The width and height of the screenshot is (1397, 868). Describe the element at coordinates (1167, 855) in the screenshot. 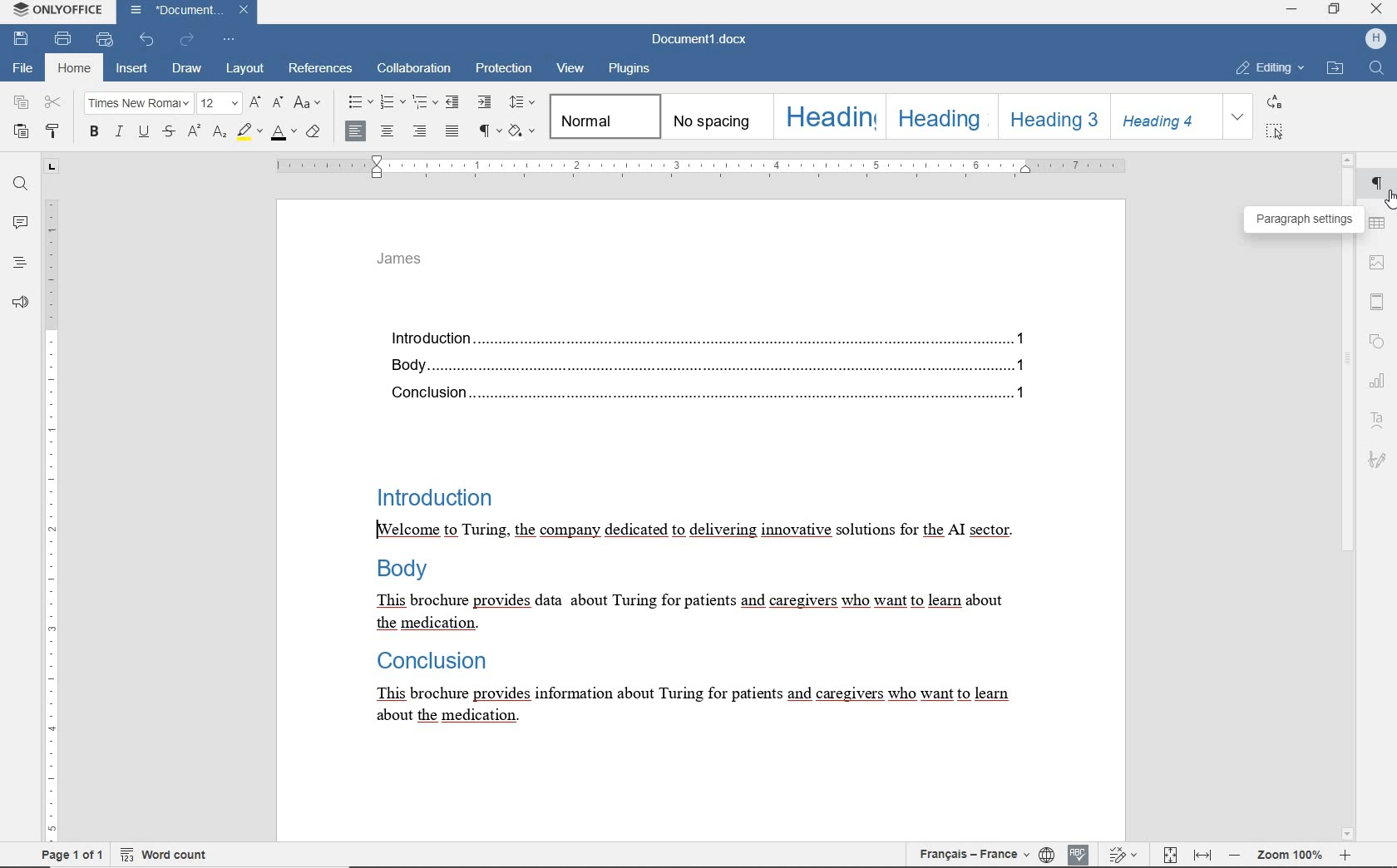

I see `track changes` at that location.